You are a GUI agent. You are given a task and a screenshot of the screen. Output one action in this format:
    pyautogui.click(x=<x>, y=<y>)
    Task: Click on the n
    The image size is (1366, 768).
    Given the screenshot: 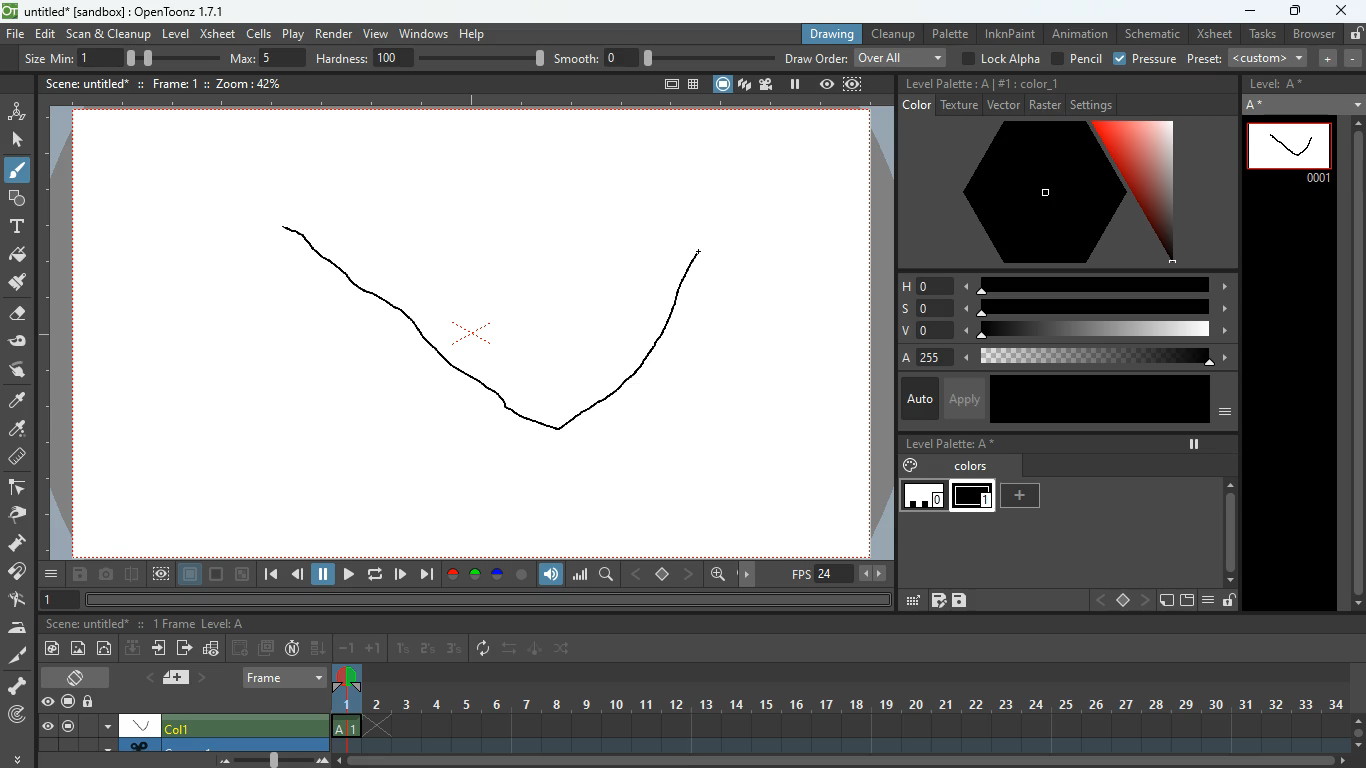 What is the action you would take?
    pyautogui.click(x=292, y=648)
    